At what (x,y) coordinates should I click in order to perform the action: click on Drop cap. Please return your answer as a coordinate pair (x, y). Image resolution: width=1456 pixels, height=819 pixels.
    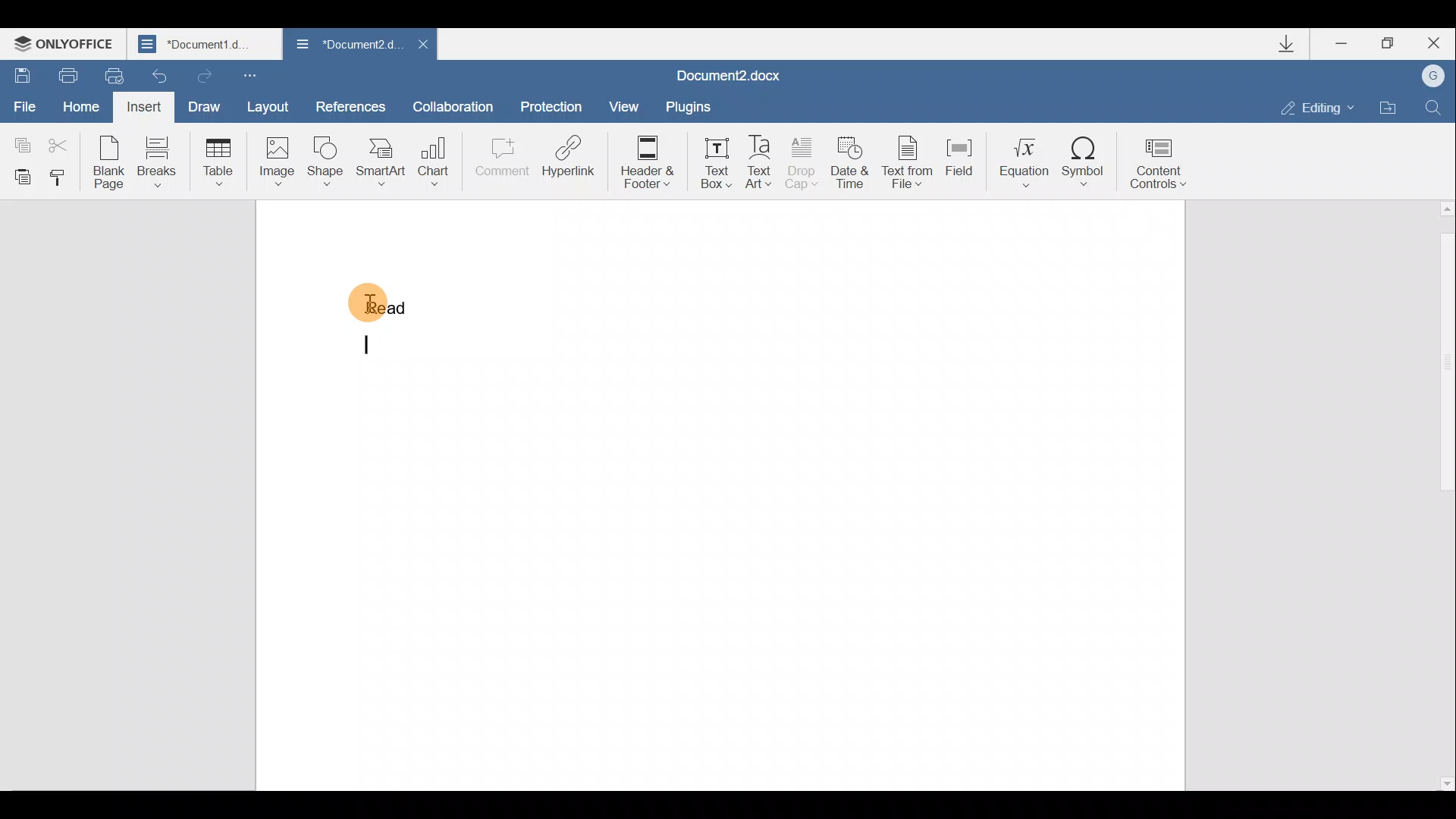
    Looking at the image, I should click on (802, 165).